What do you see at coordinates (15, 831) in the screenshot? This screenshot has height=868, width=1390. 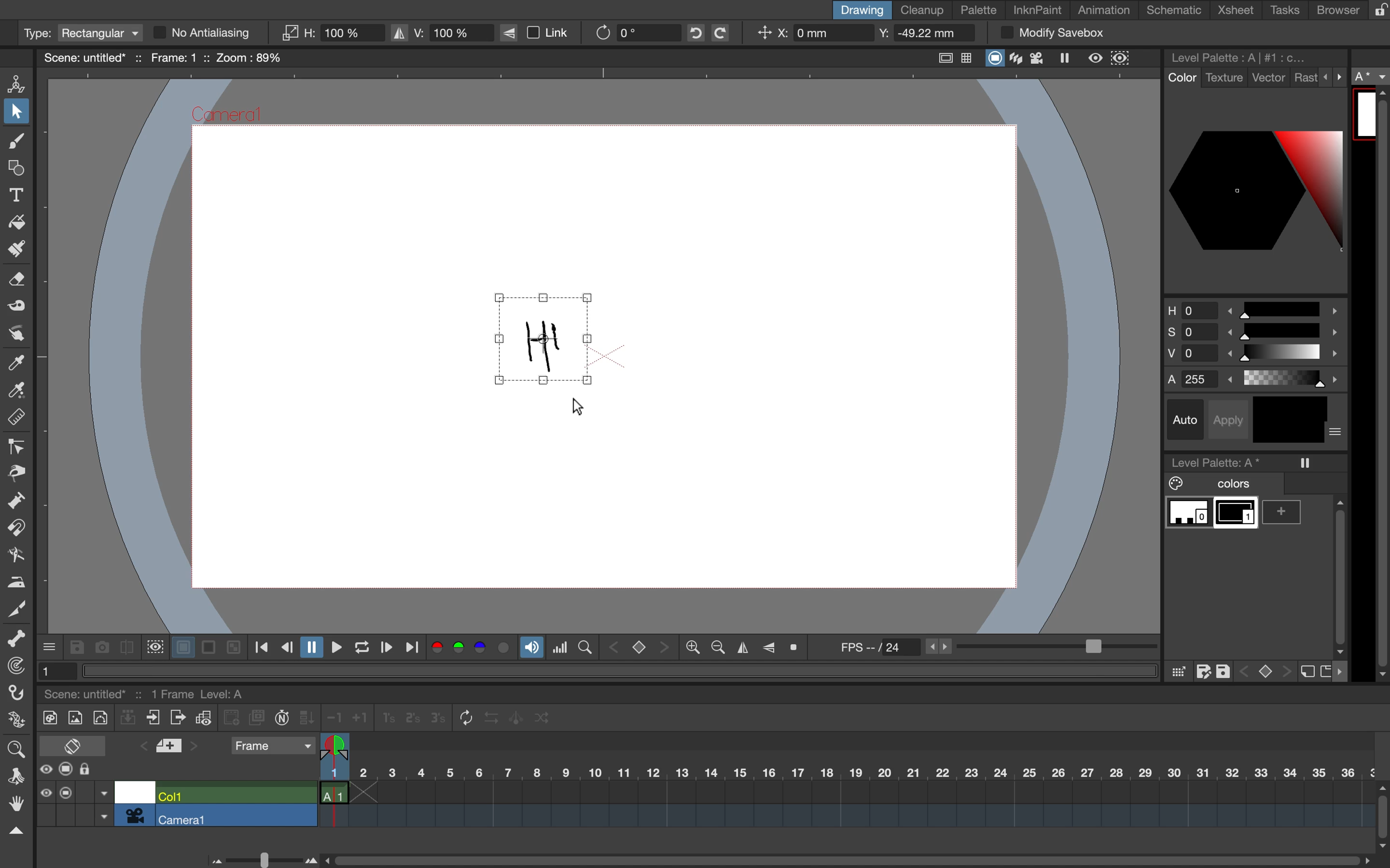 I see `collapse` at bounding box center [15, 831].